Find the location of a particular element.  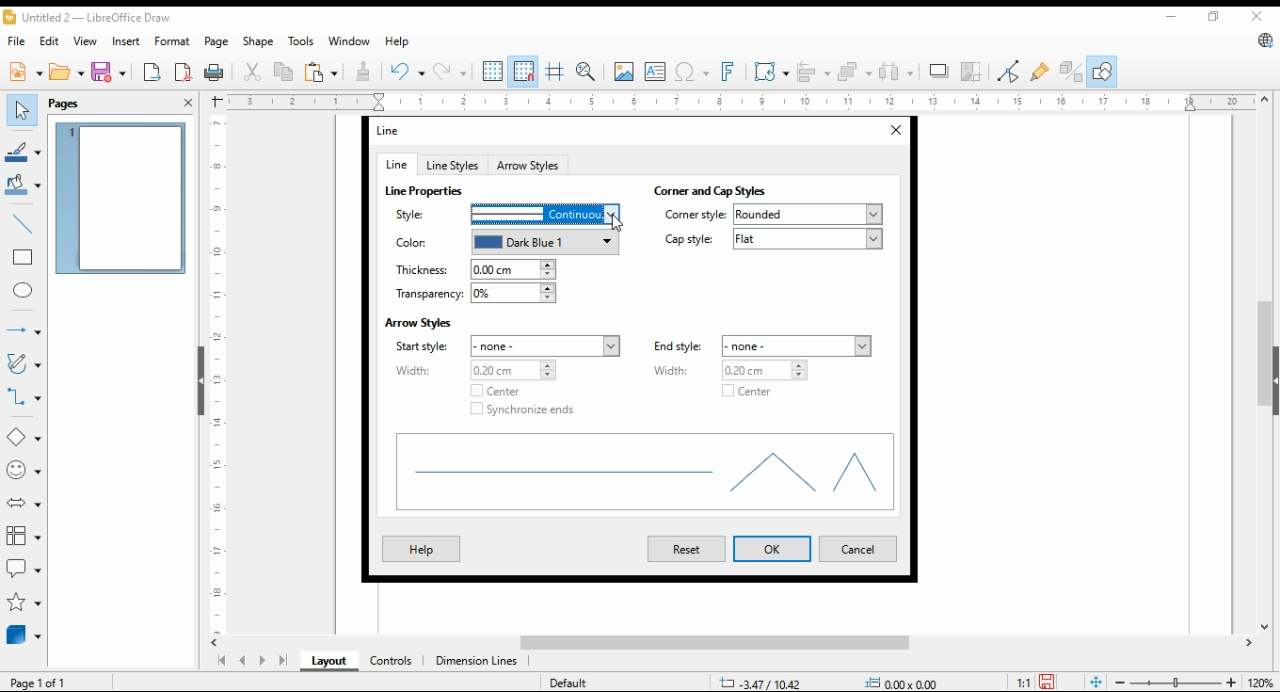

redo is located at coordinates (449, 71).